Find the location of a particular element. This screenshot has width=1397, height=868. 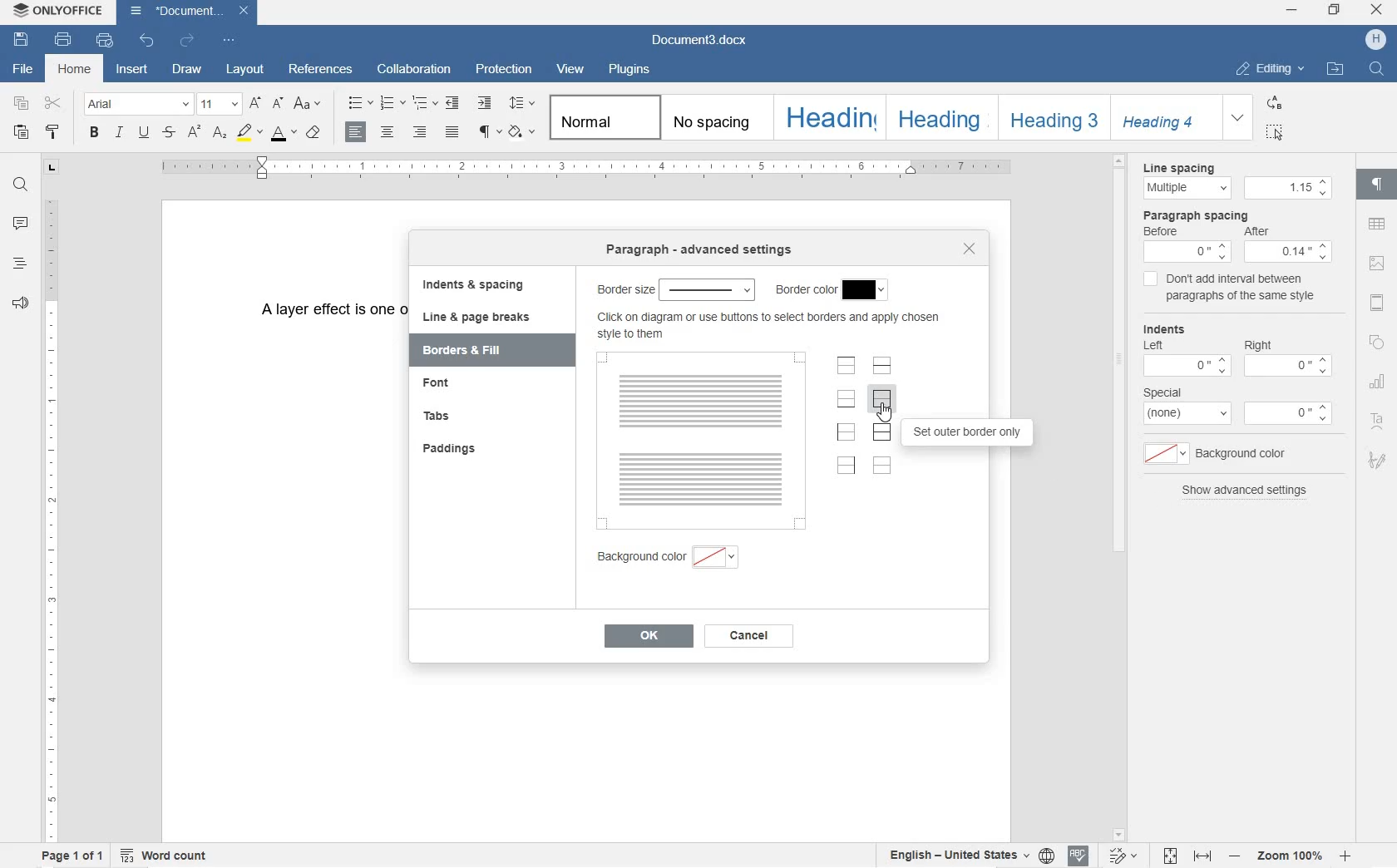

RULER is located at coordinates (588, 168).